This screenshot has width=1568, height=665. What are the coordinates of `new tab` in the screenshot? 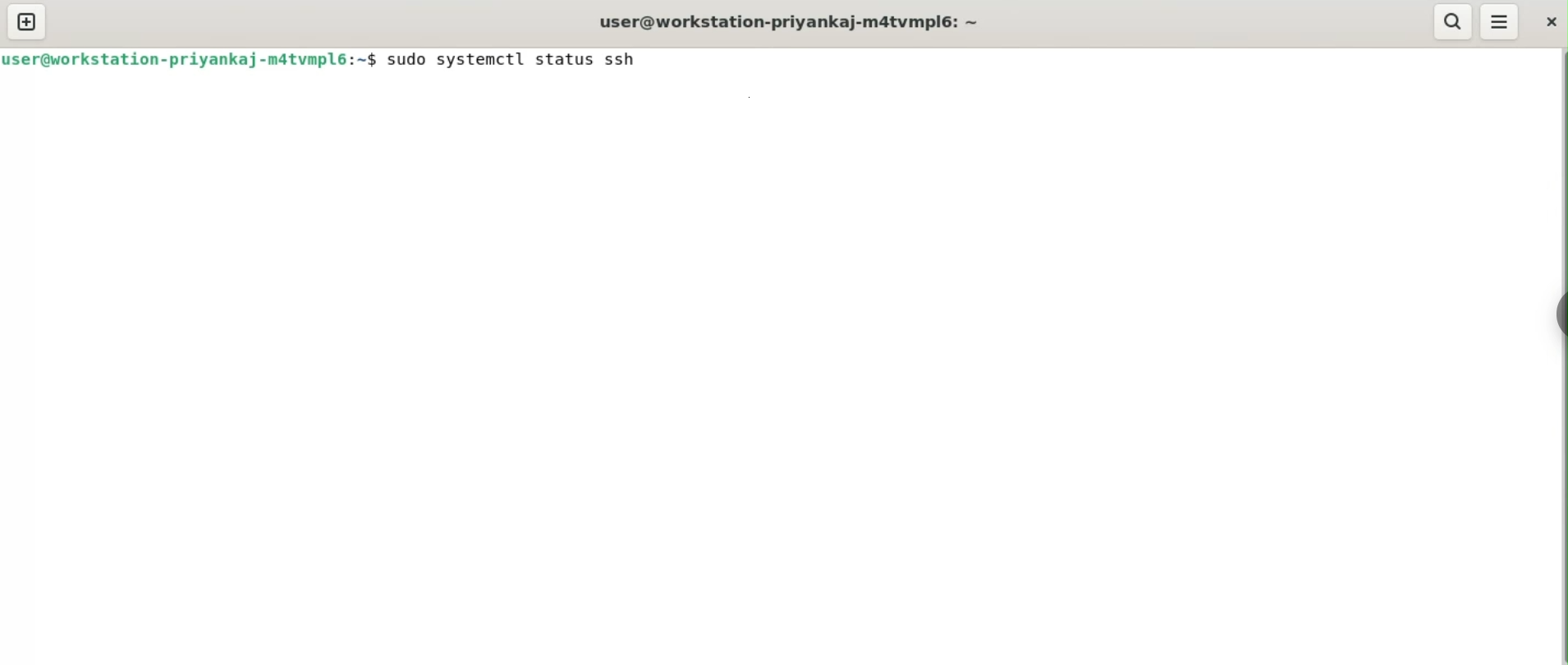 It's located at (34, 21).